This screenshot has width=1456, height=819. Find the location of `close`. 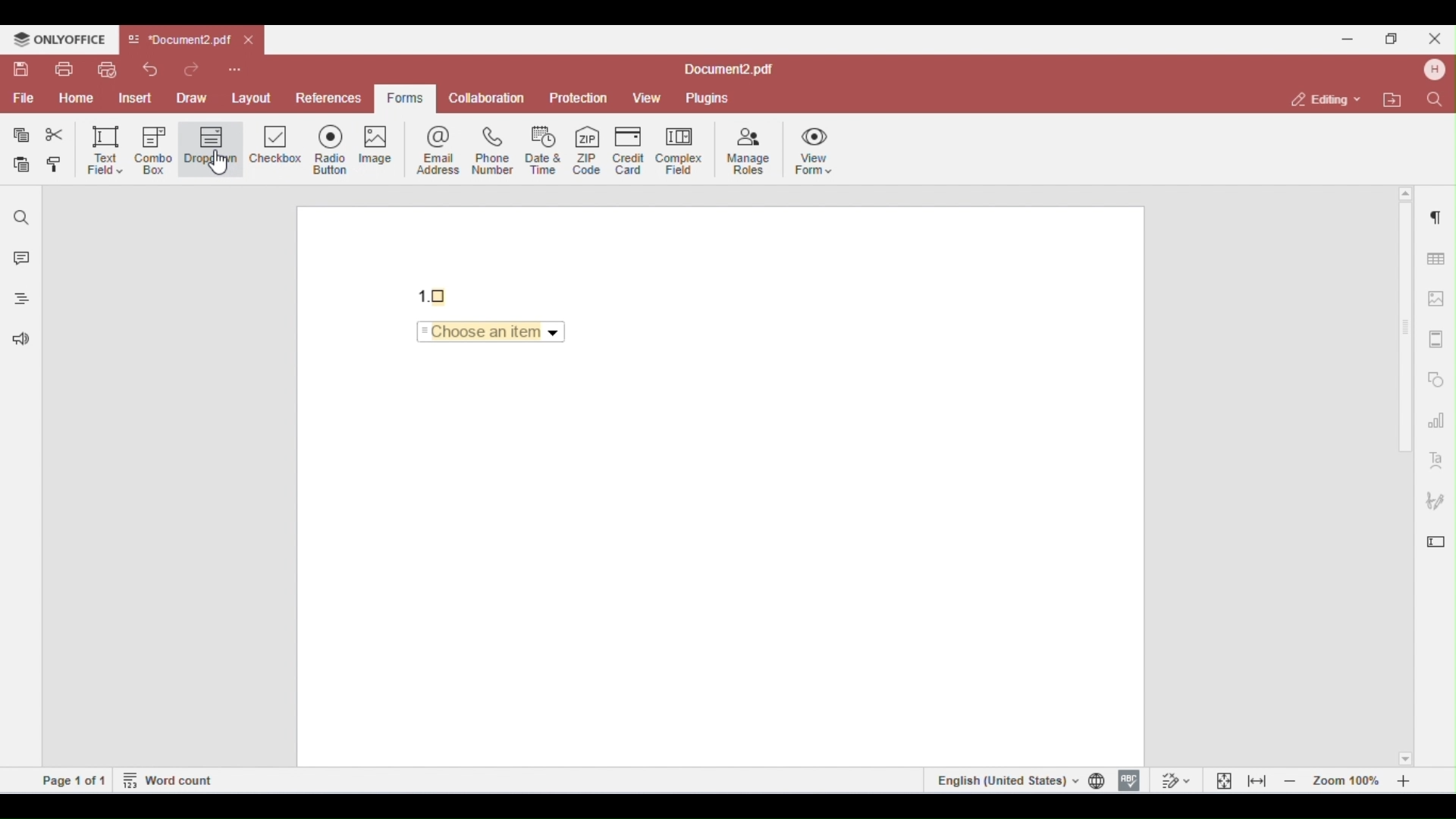

close is located at coordinates (1433, 38).